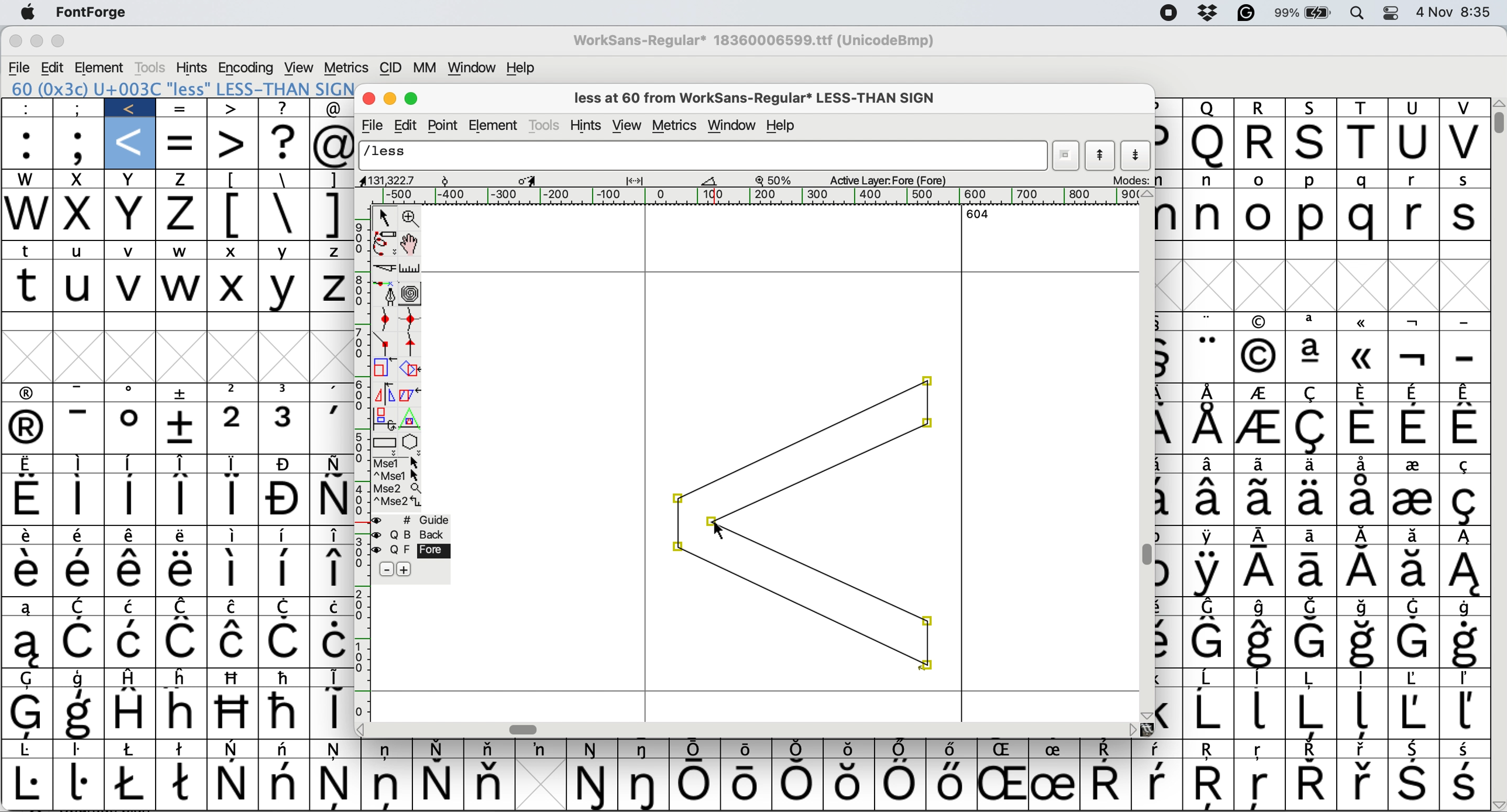  What do you see at coordinates (376, 124) in the screenshot?
I see `file` at bounding box center [376, 124].